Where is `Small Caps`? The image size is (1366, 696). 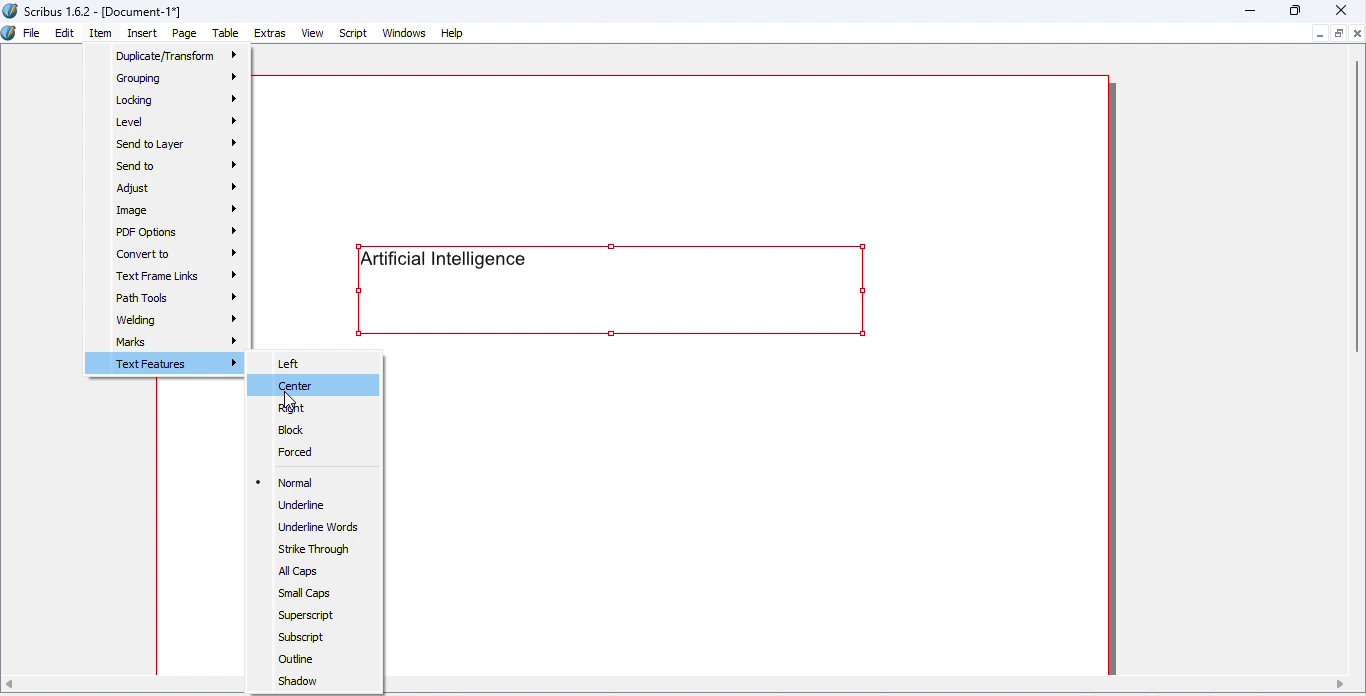 Small Caps is located at coordinates (307, 592).